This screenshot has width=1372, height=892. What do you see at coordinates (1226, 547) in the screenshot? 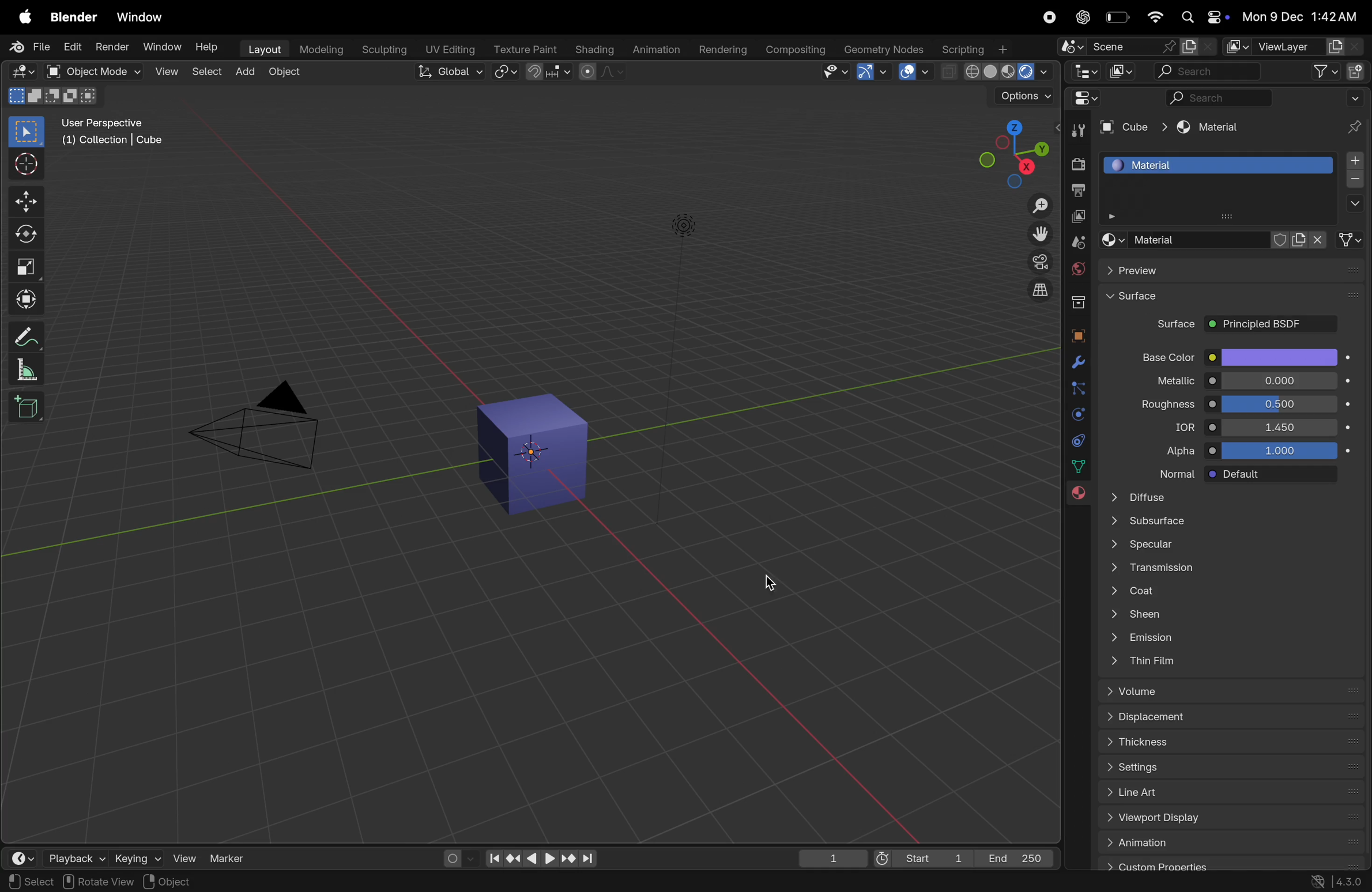
I see `Spectular` at bounding box center [1226, 547].